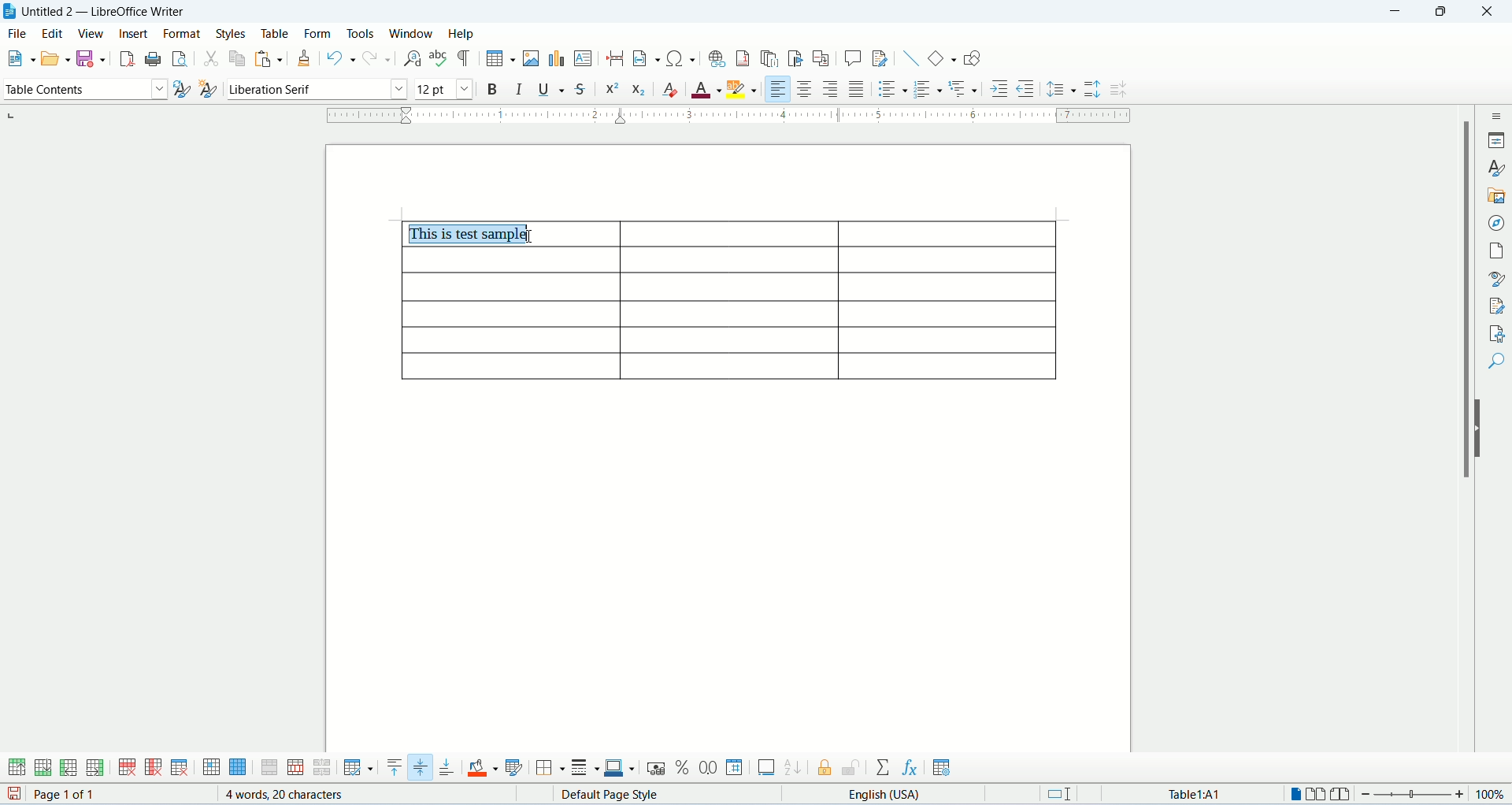 The width and height of the screenshot is (1512, 805). What do you see at coordinates (891, 795) in the screenshot?
I see `text language` at bounding box center [891, 795].